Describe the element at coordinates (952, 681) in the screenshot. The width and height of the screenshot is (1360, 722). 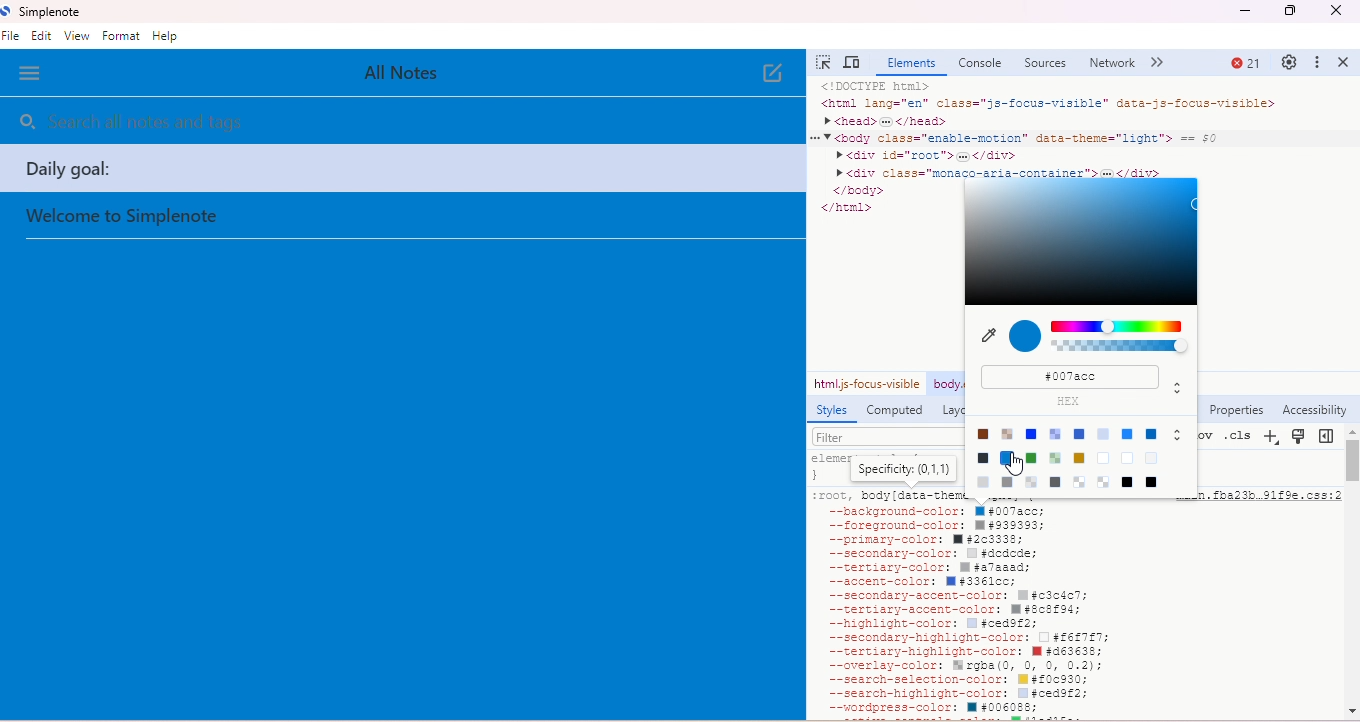
I see `search-selection-color` at that location.